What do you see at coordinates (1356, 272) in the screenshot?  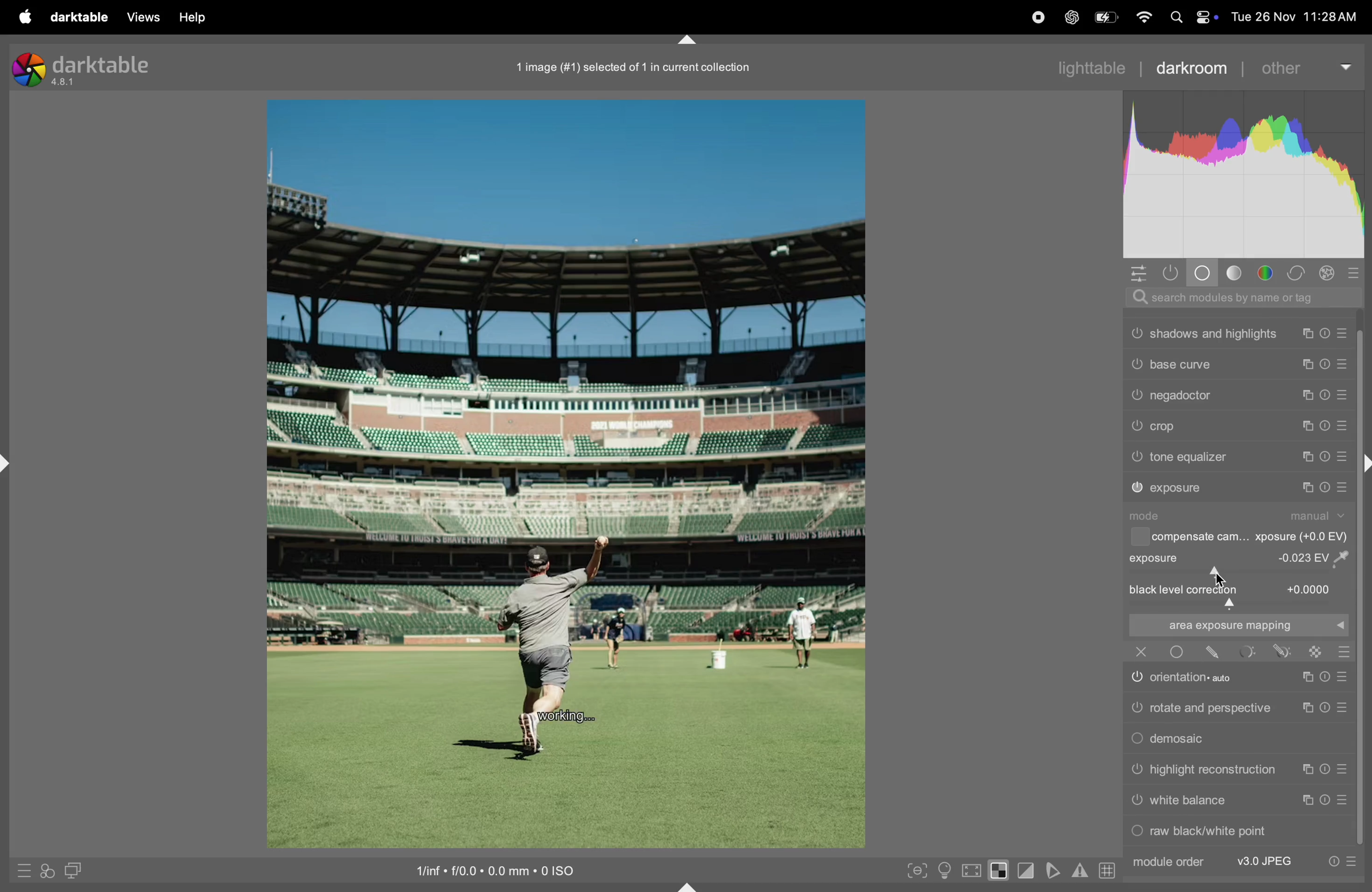 I see `presets` at bounding box center [1356, 272].